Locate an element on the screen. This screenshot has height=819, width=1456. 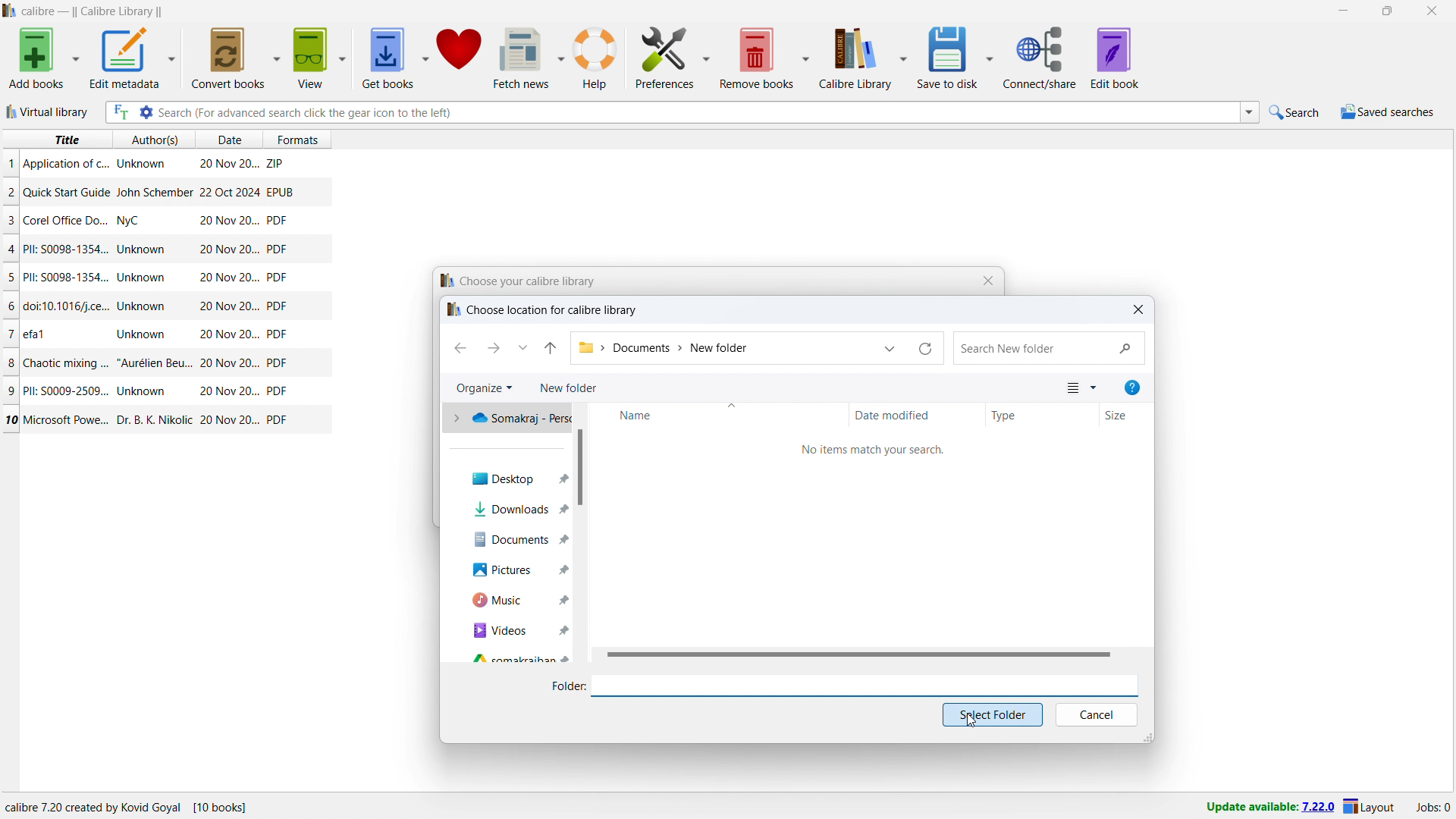
advanced search is located at coordinates (145, 112).